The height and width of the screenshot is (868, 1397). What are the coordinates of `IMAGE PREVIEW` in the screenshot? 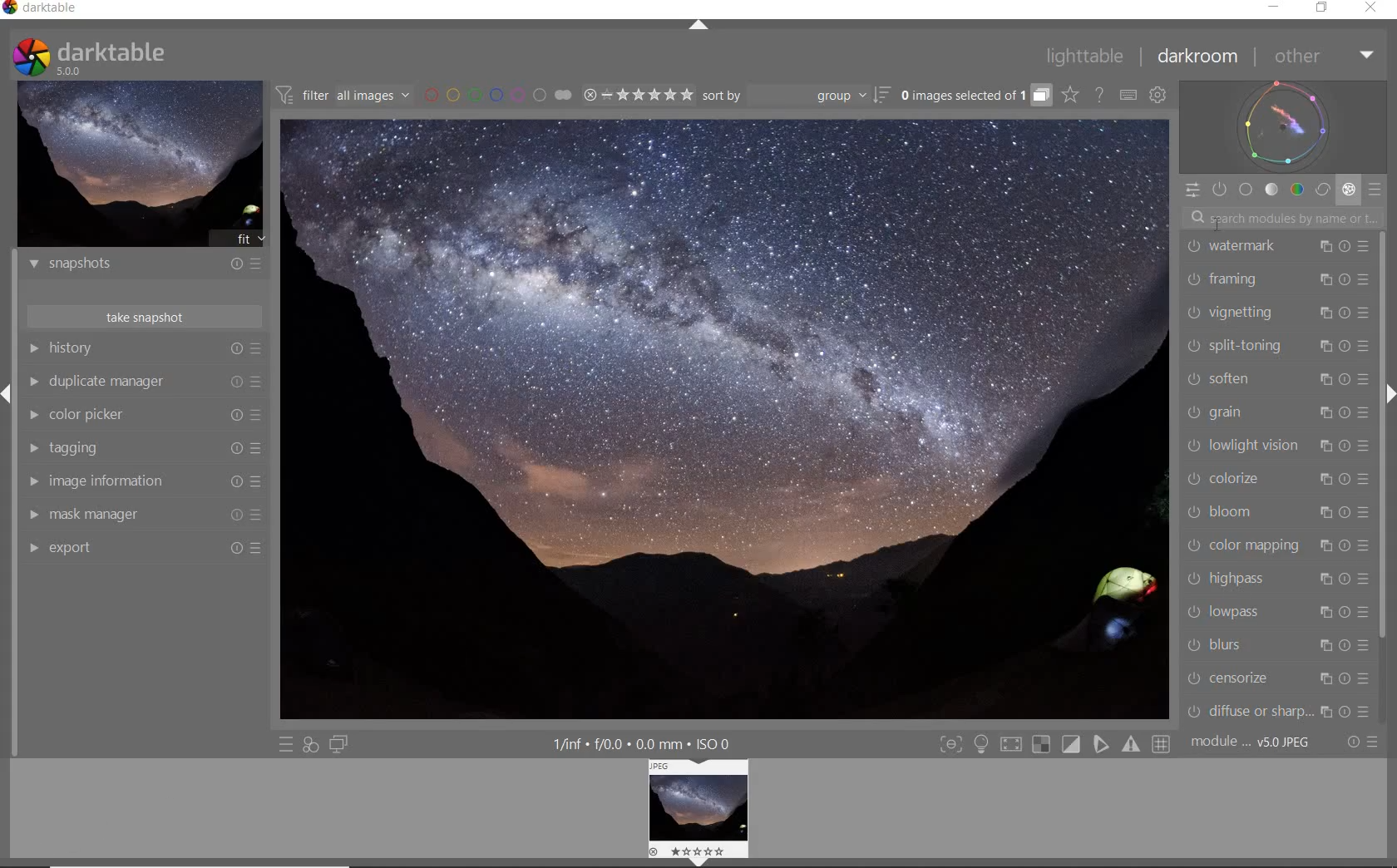 It's located at (702, 805).